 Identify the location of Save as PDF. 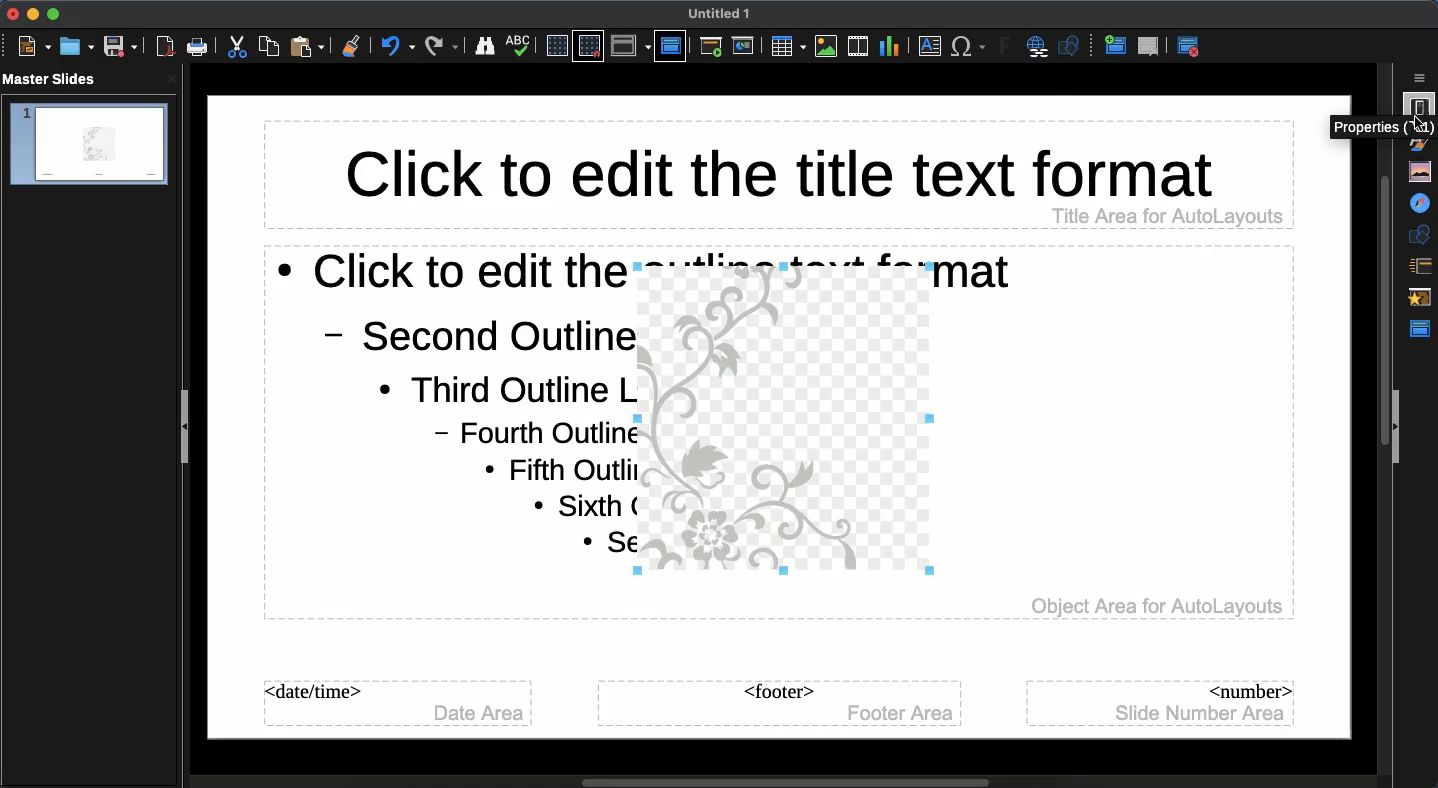
(167, 49).